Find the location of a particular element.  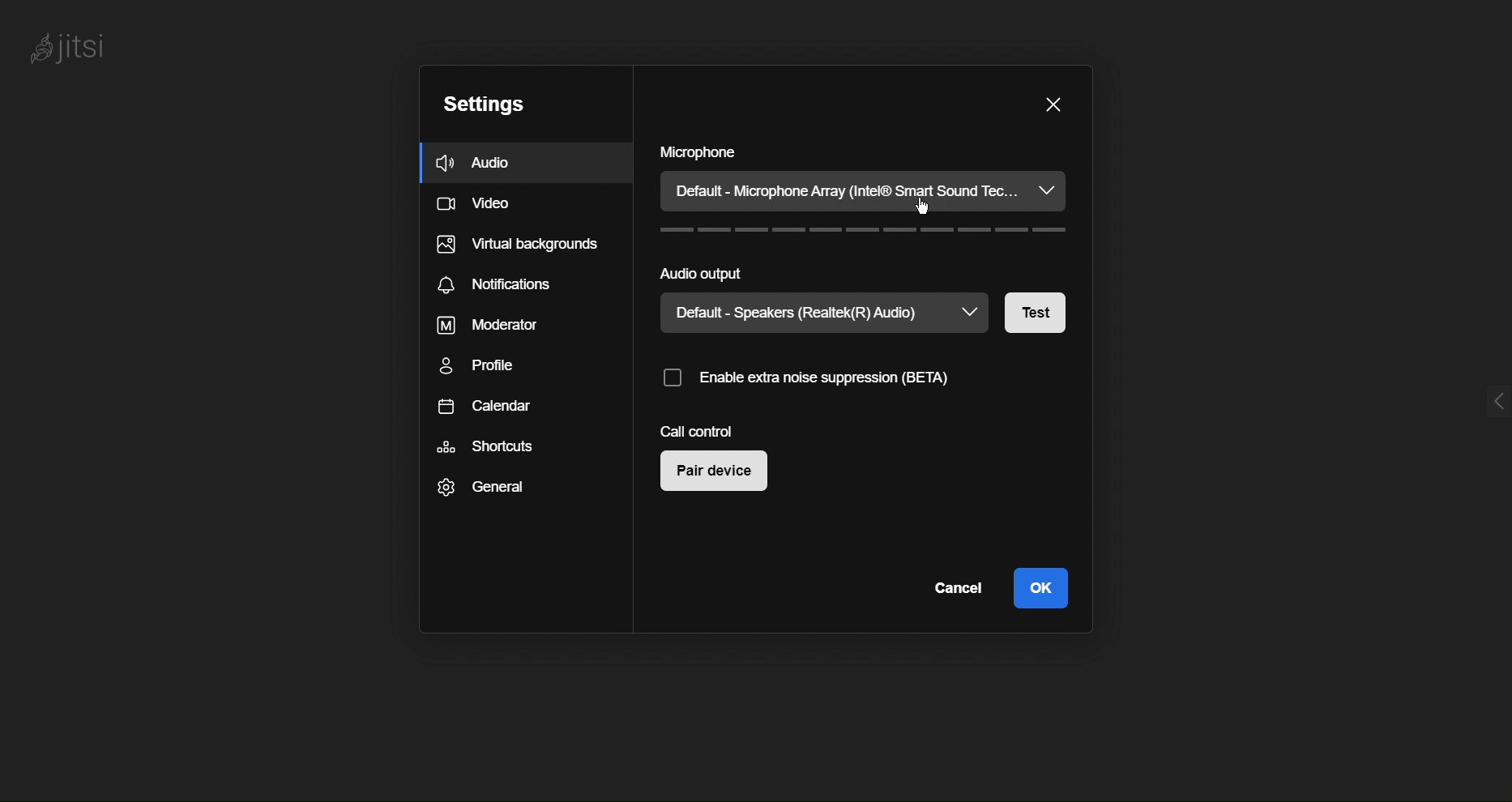

Default - Speakers (Realtek(R) Audio) is located at coordinates (794, 313).